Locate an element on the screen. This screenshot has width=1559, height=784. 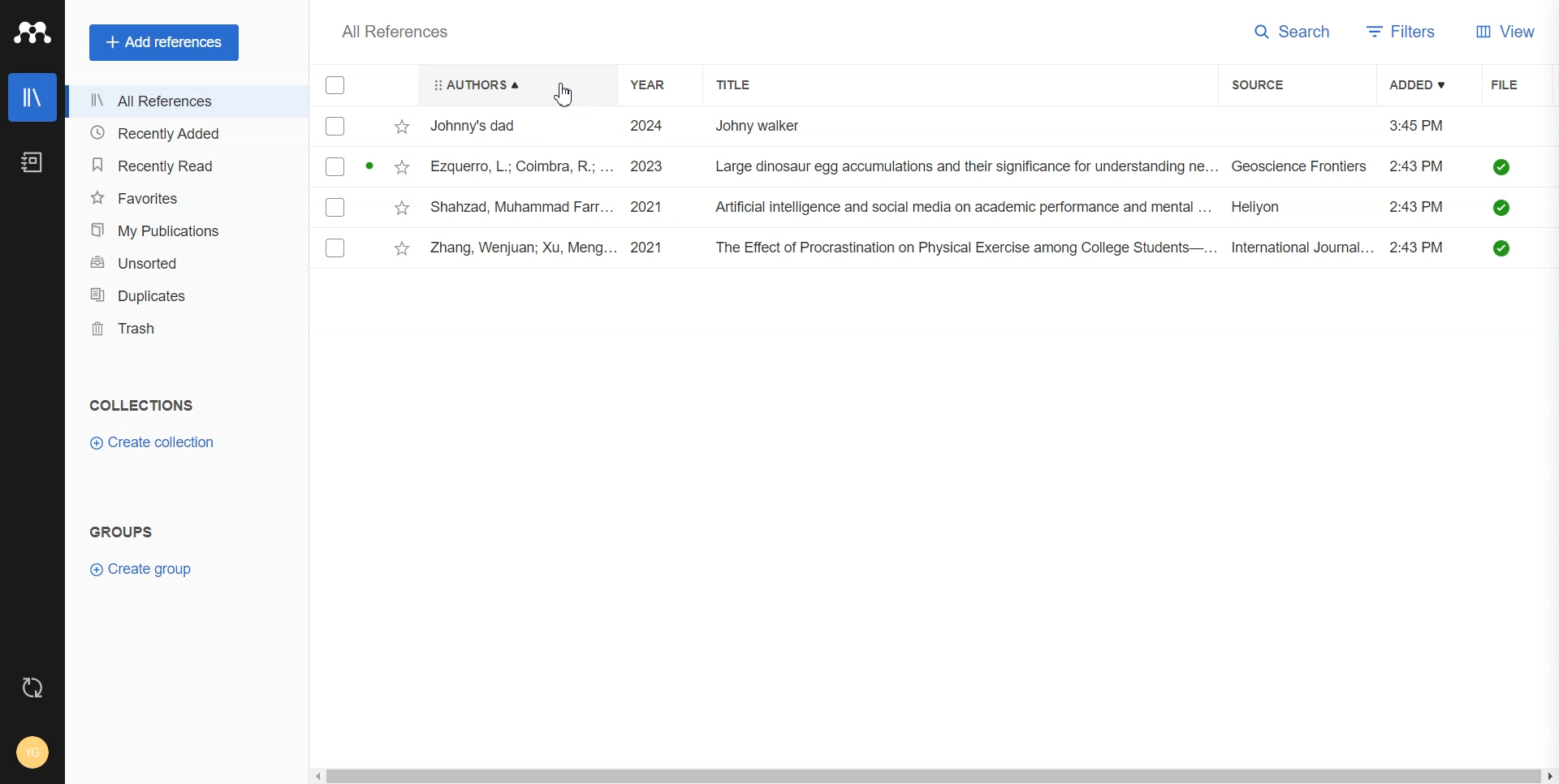
International Journal is located at coordinates (1302, 248).